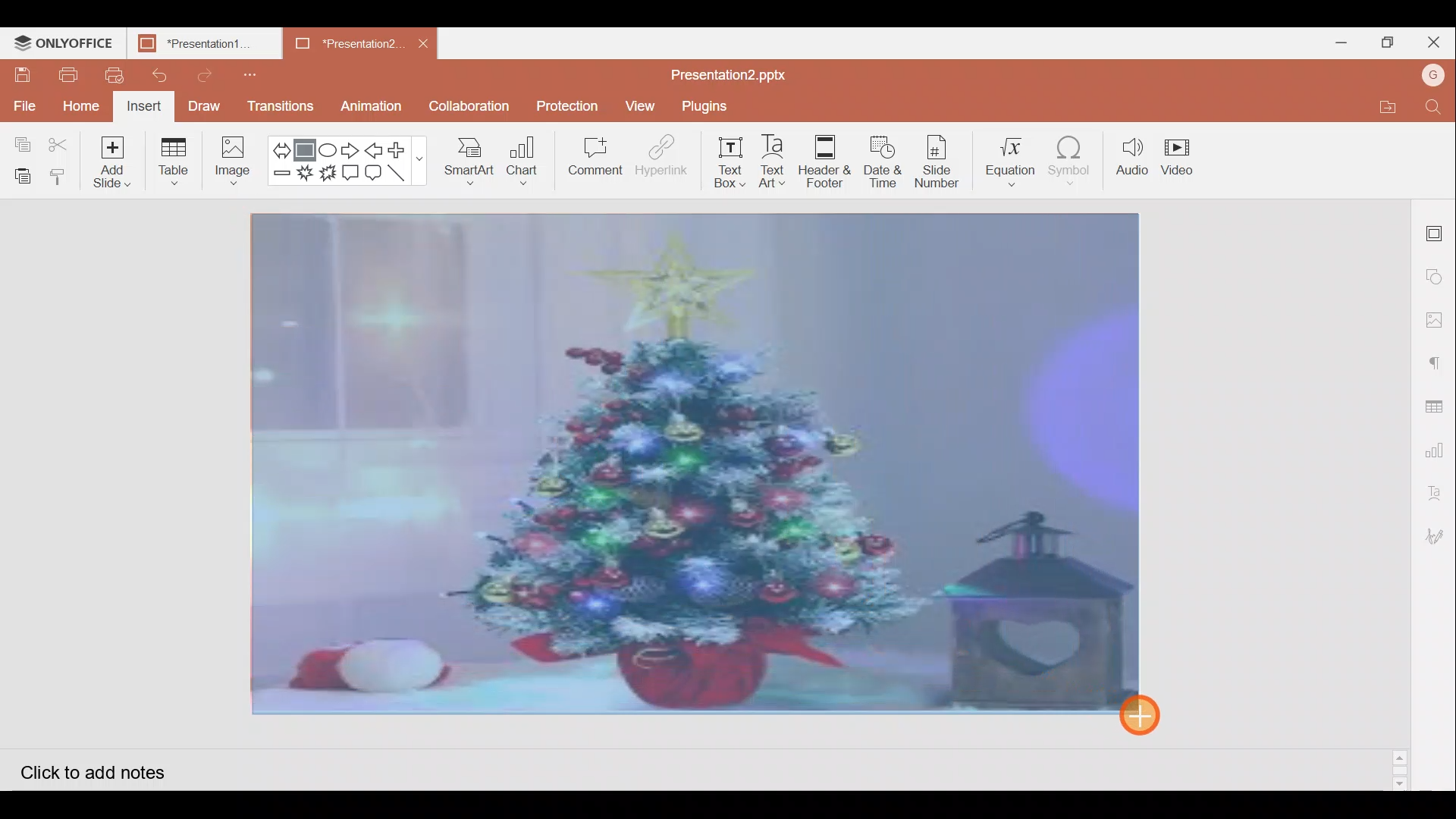 The width and height of the screenshot is (1456, 819). What do you see at coordinates (62, 76) in the screenshot?
I see `Print file` at bounding box center [62, 76].